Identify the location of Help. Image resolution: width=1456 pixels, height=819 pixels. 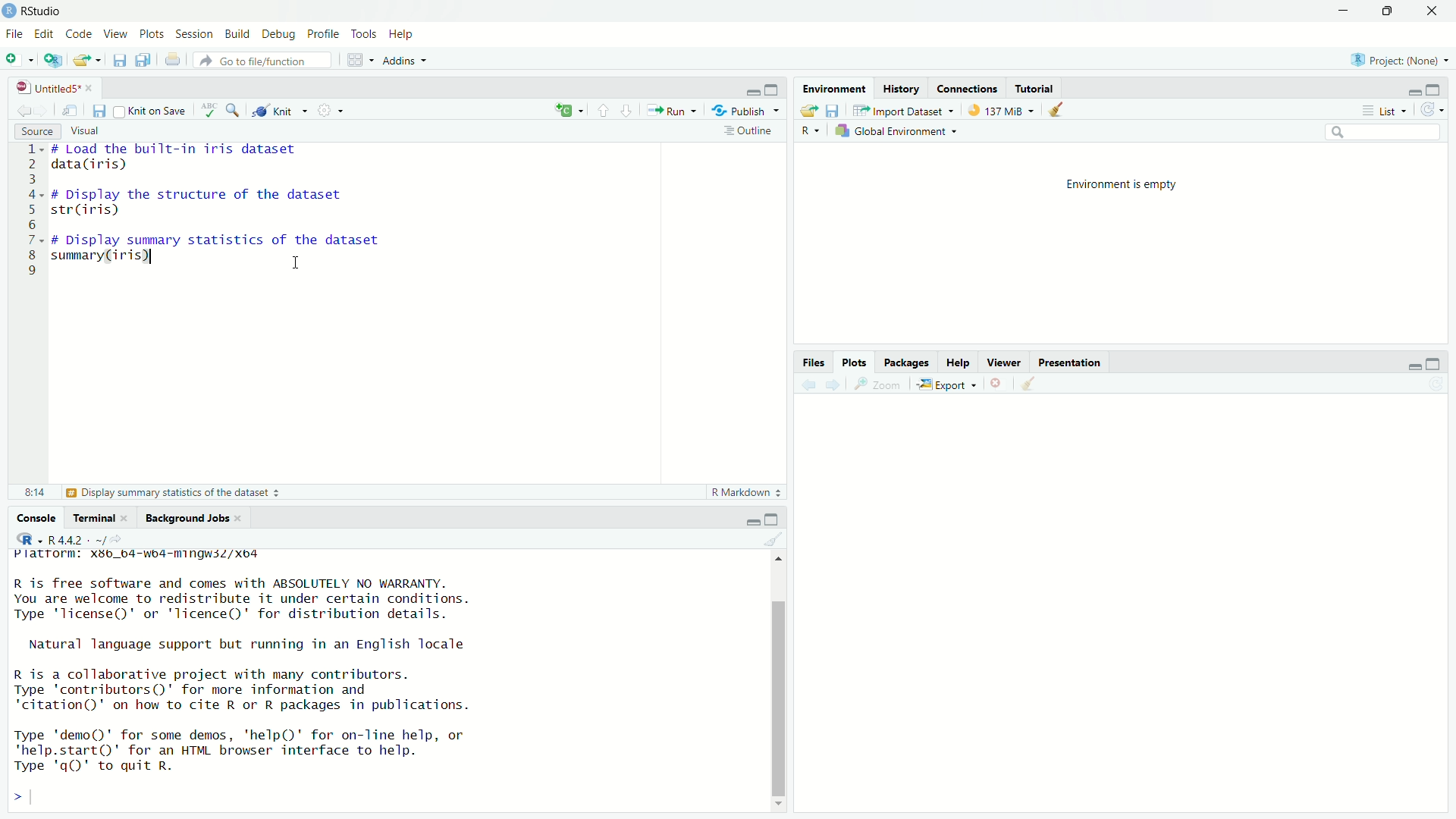
(958, 361).